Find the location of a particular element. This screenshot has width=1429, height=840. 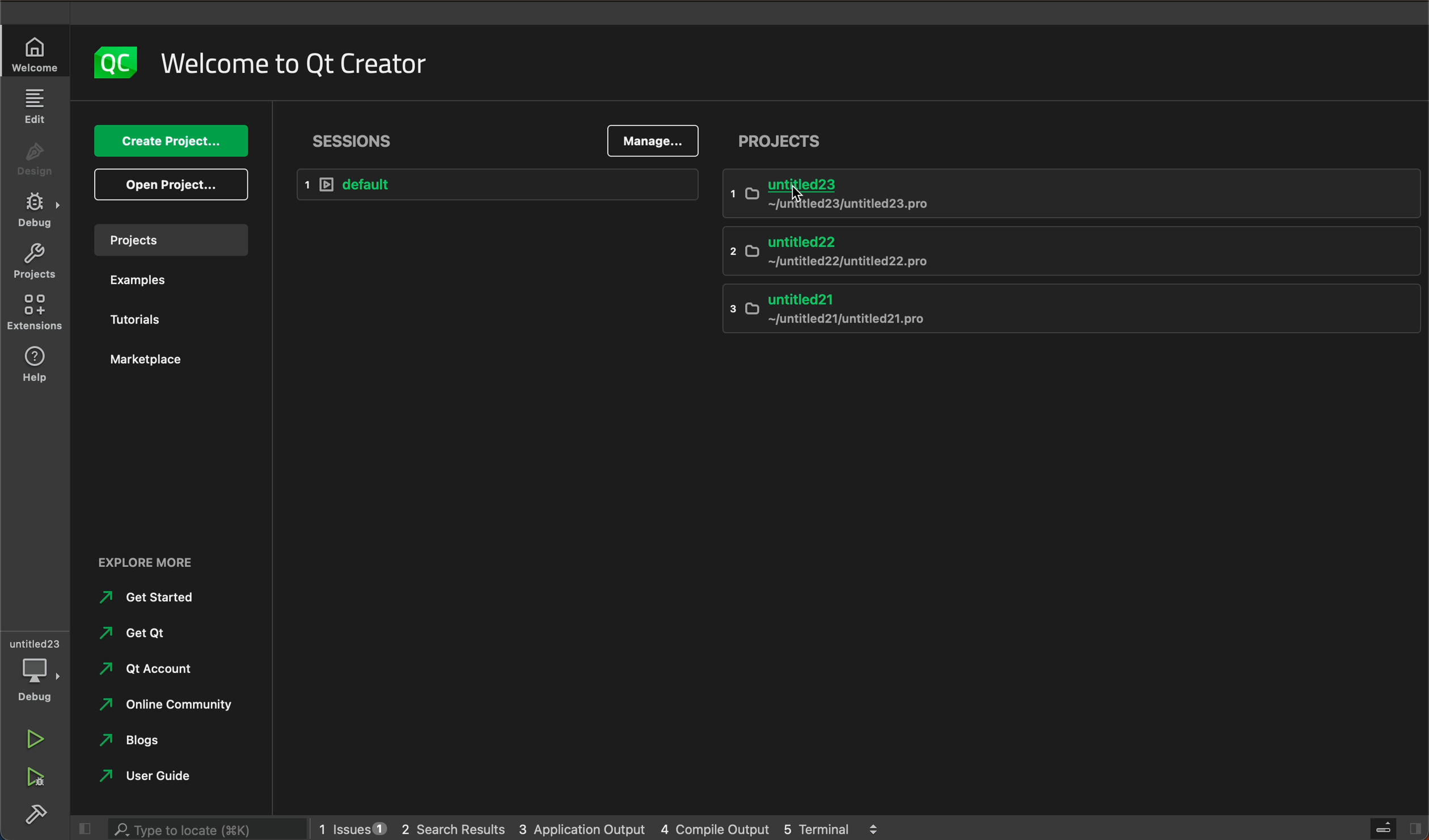

edit is located at coordinates (33, 107).